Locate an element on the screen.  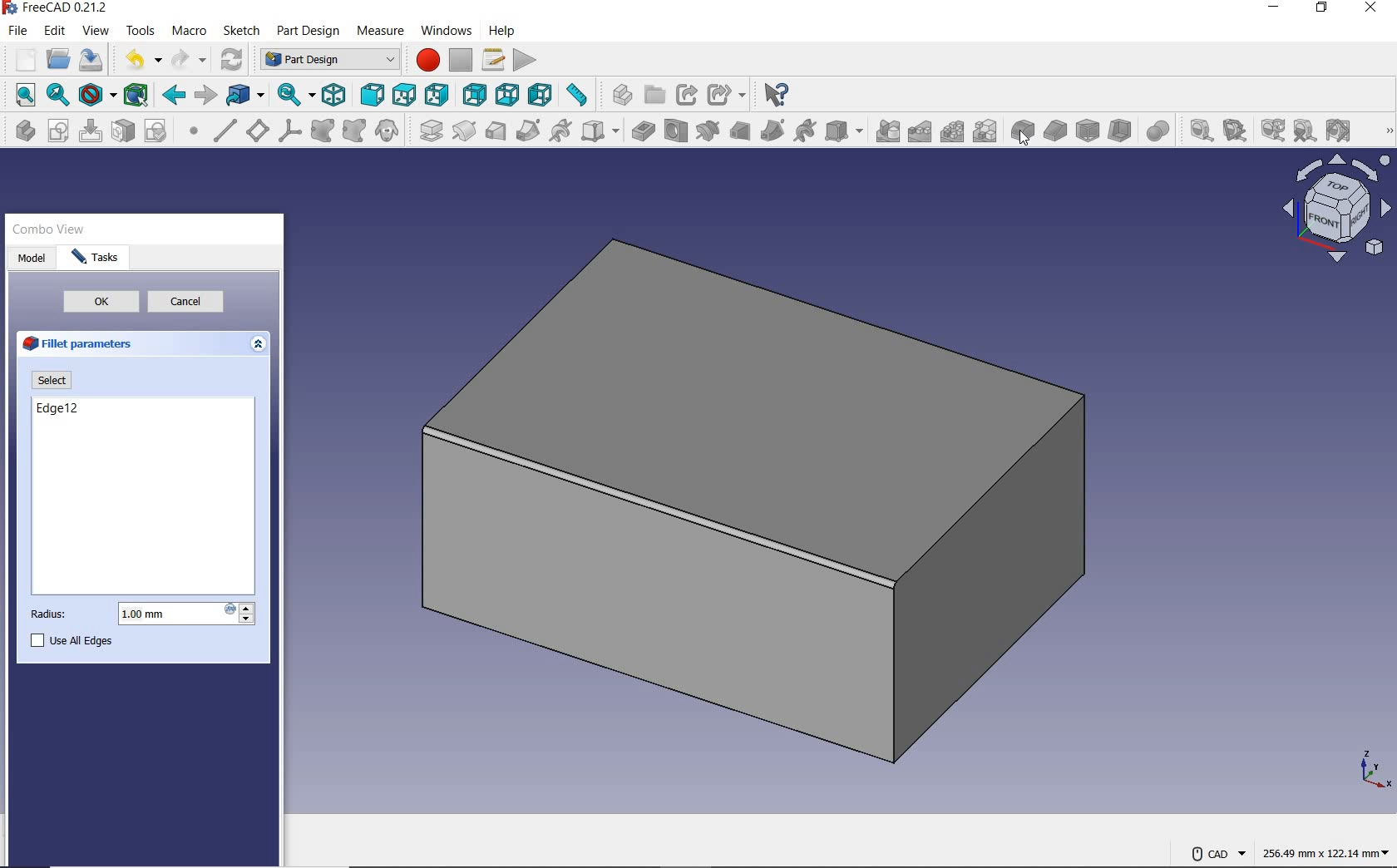
view is located at coordinates (96, 31).